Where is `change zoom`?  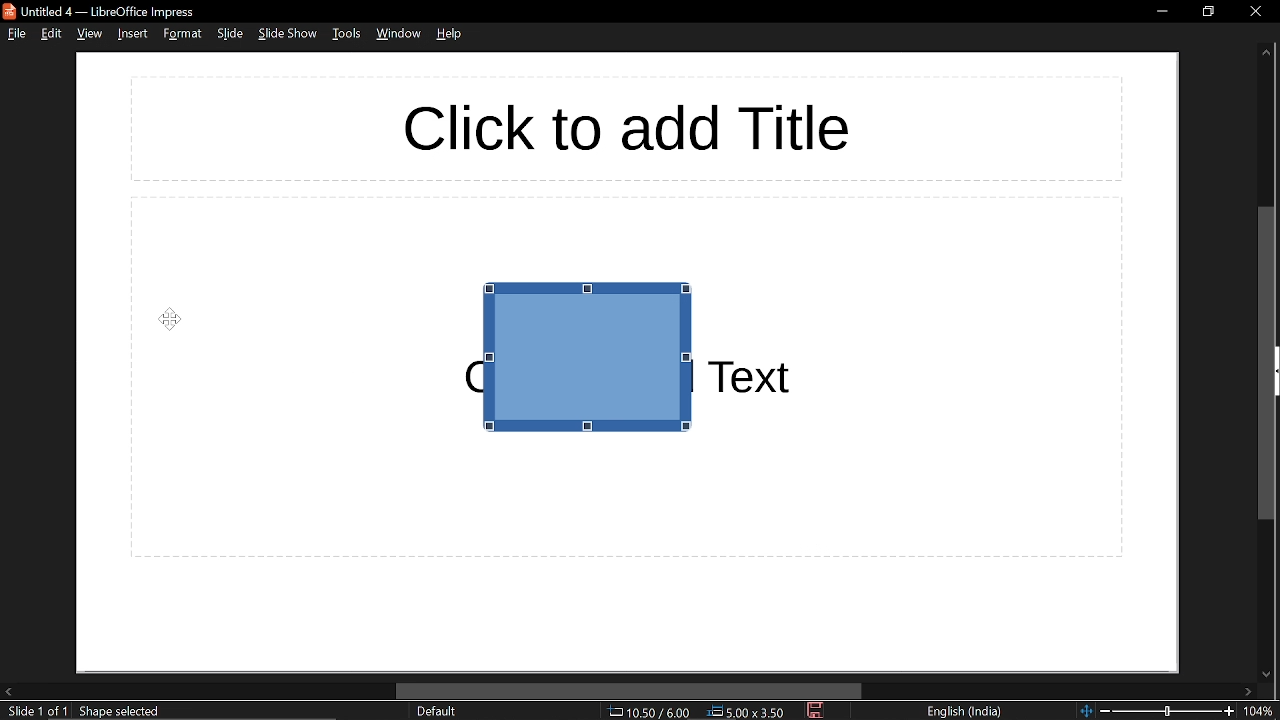
change zoom is located at coordinates (1157, 711).